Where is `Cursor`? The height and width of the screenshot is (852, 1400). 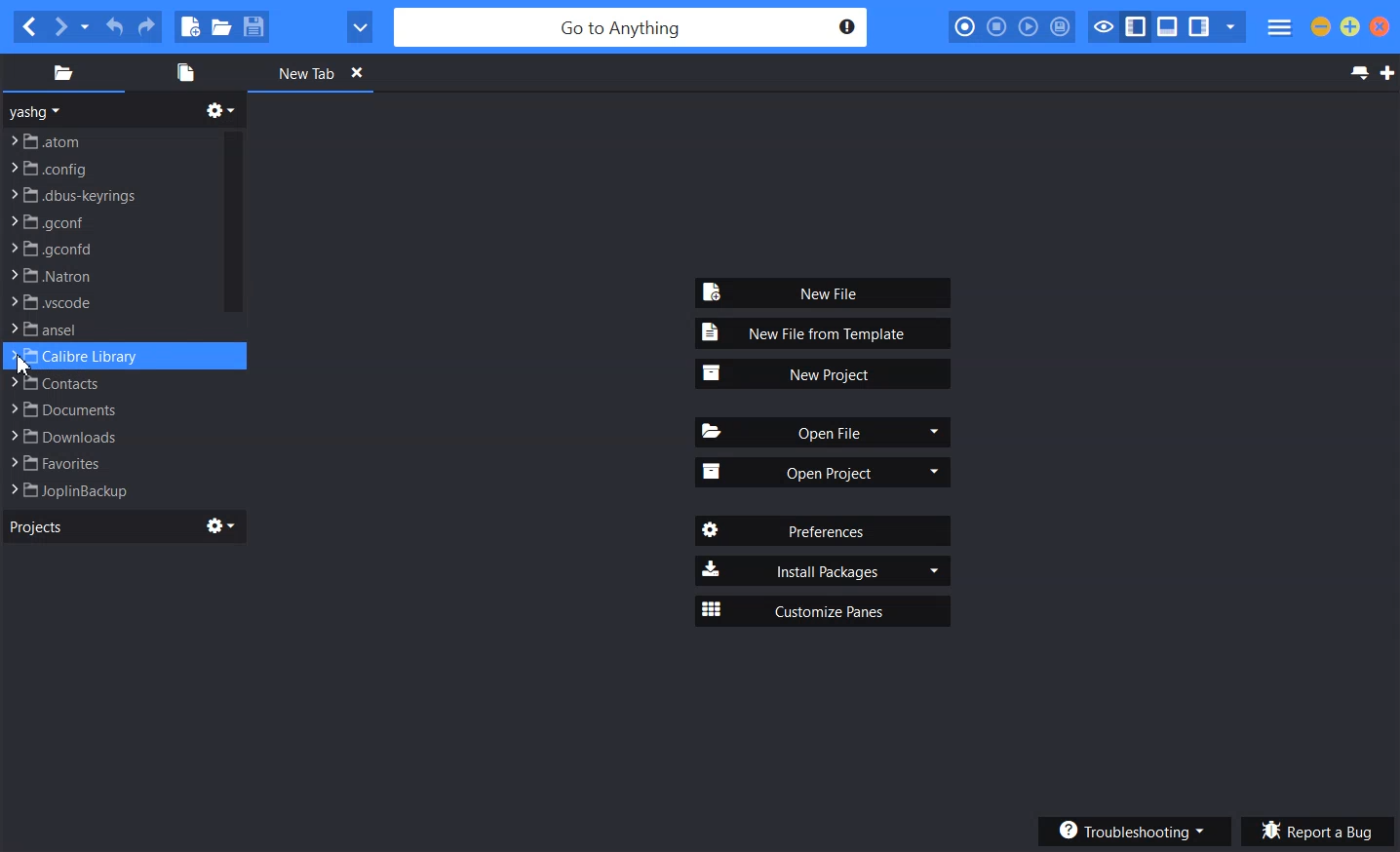
Cursor is located at coordinates (23, 366).